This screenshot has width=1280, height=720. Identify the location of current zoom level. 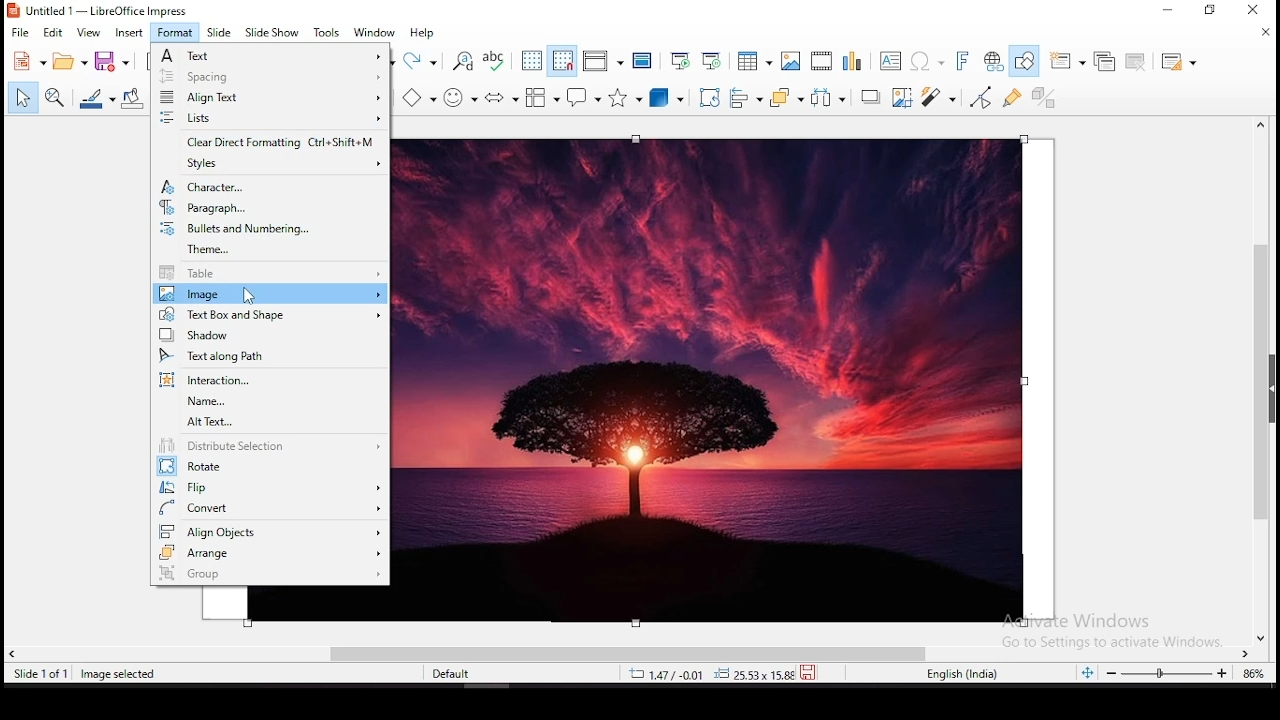
(1251, 676).